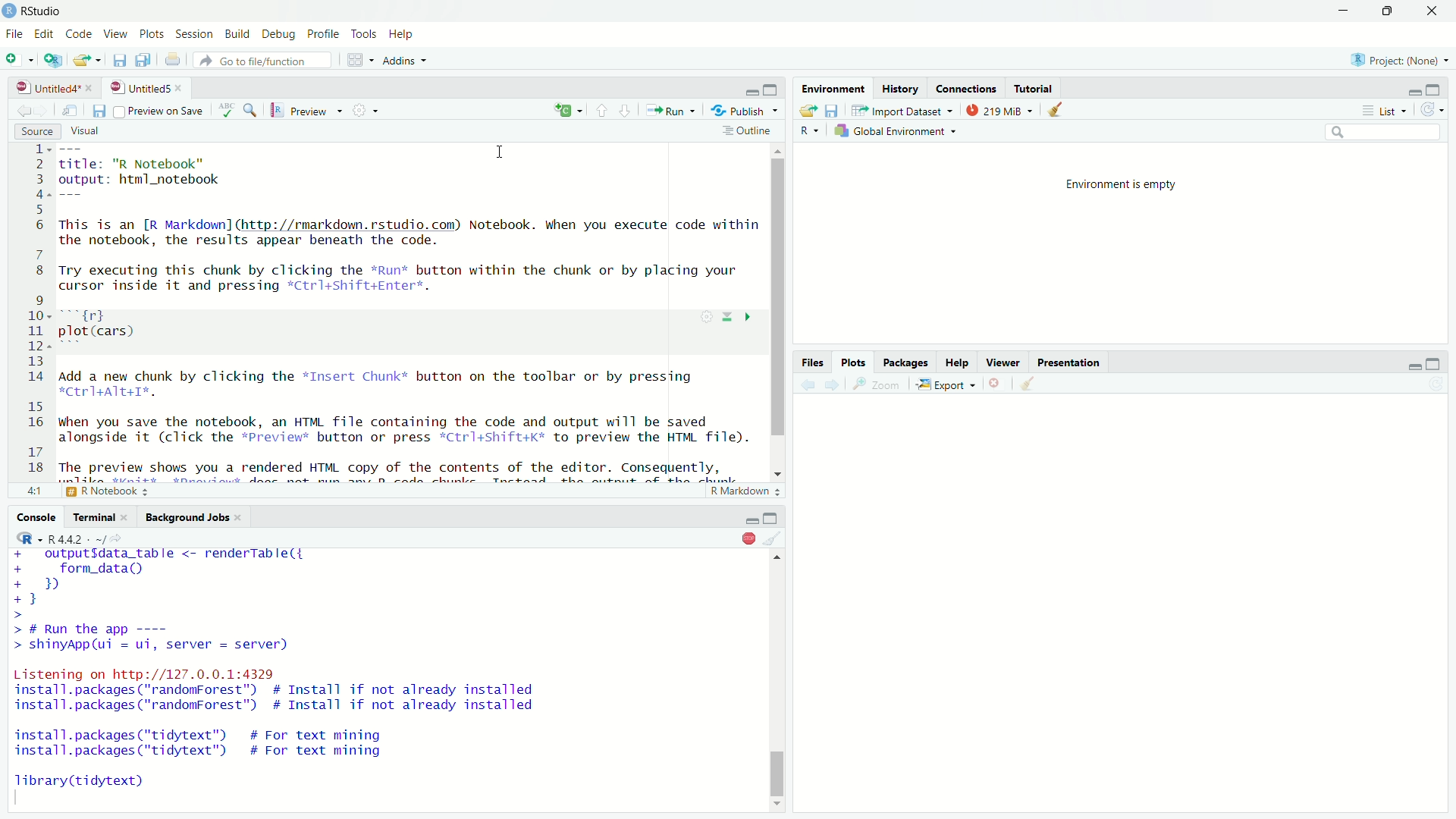 This screenshot has height=819, width=1456. What do you see at coordinates (1431, 108) in the screenshot?
I see `refresh the list of objects` at bounding box center [1431, 108].